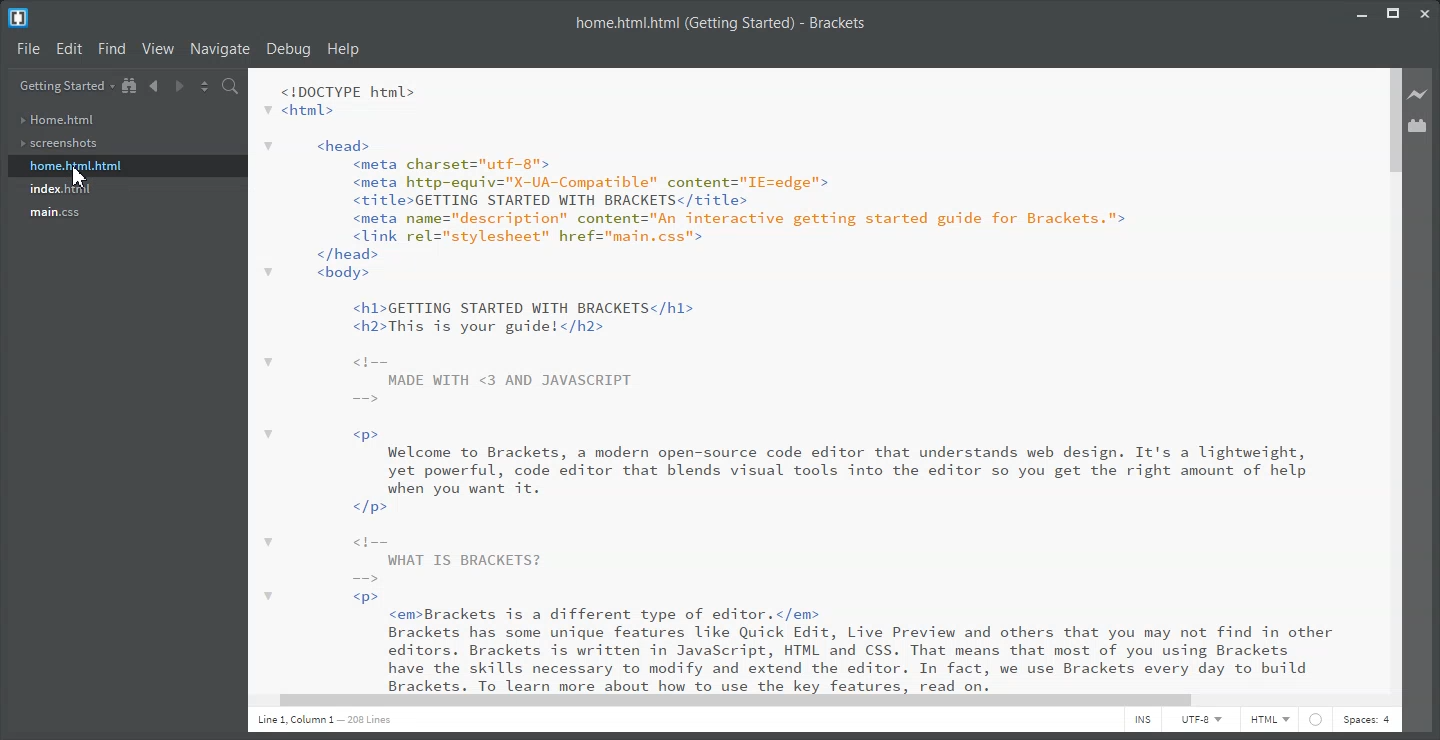 The height and width of the screenshot is (740, 1440). Describe the element at coordinates (66, 86) in the screenshot. I see `Getting Started` at that location.